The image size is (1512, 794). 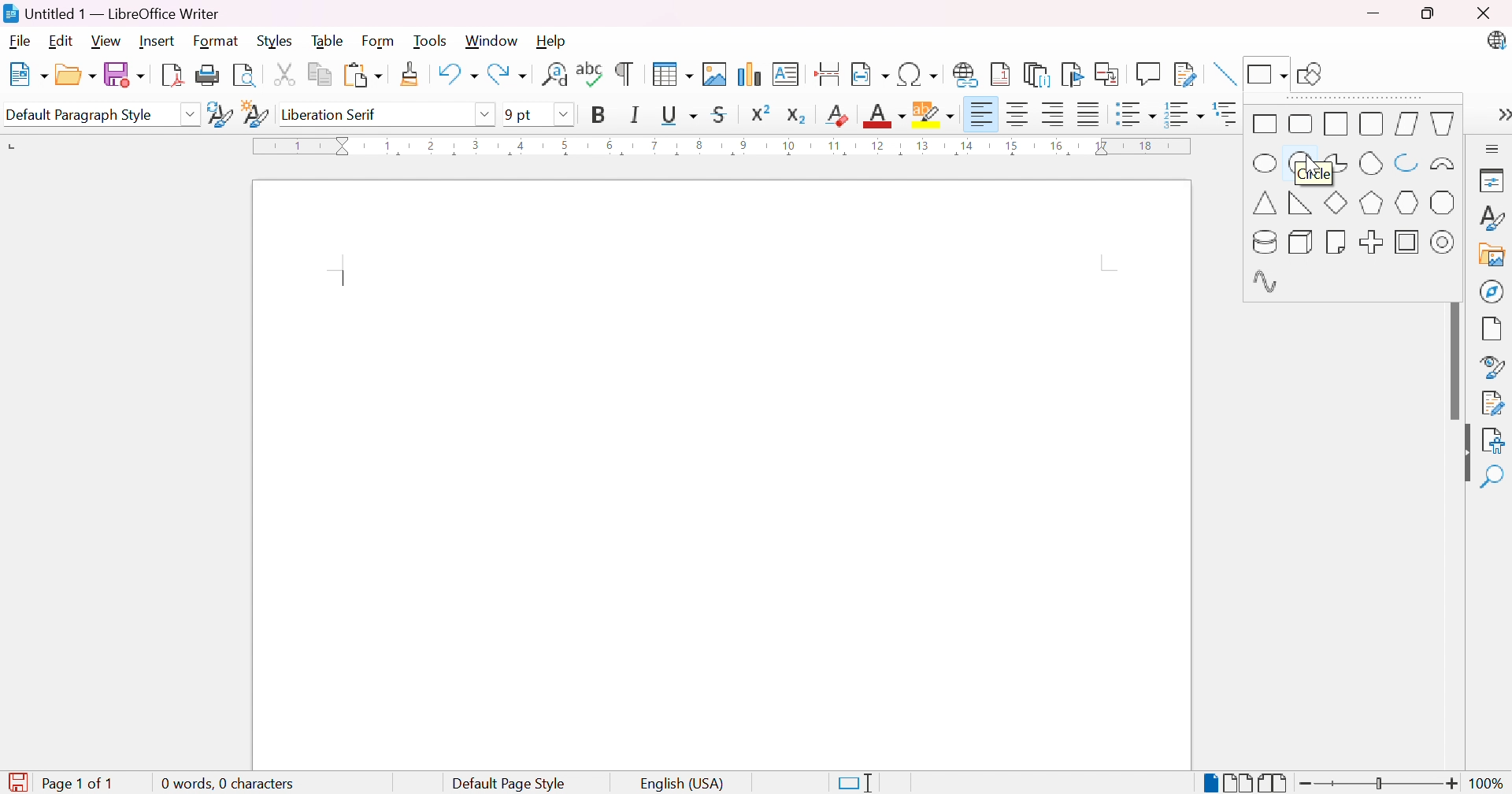 I want to click on Gallery, so click(x=1492, y=256).